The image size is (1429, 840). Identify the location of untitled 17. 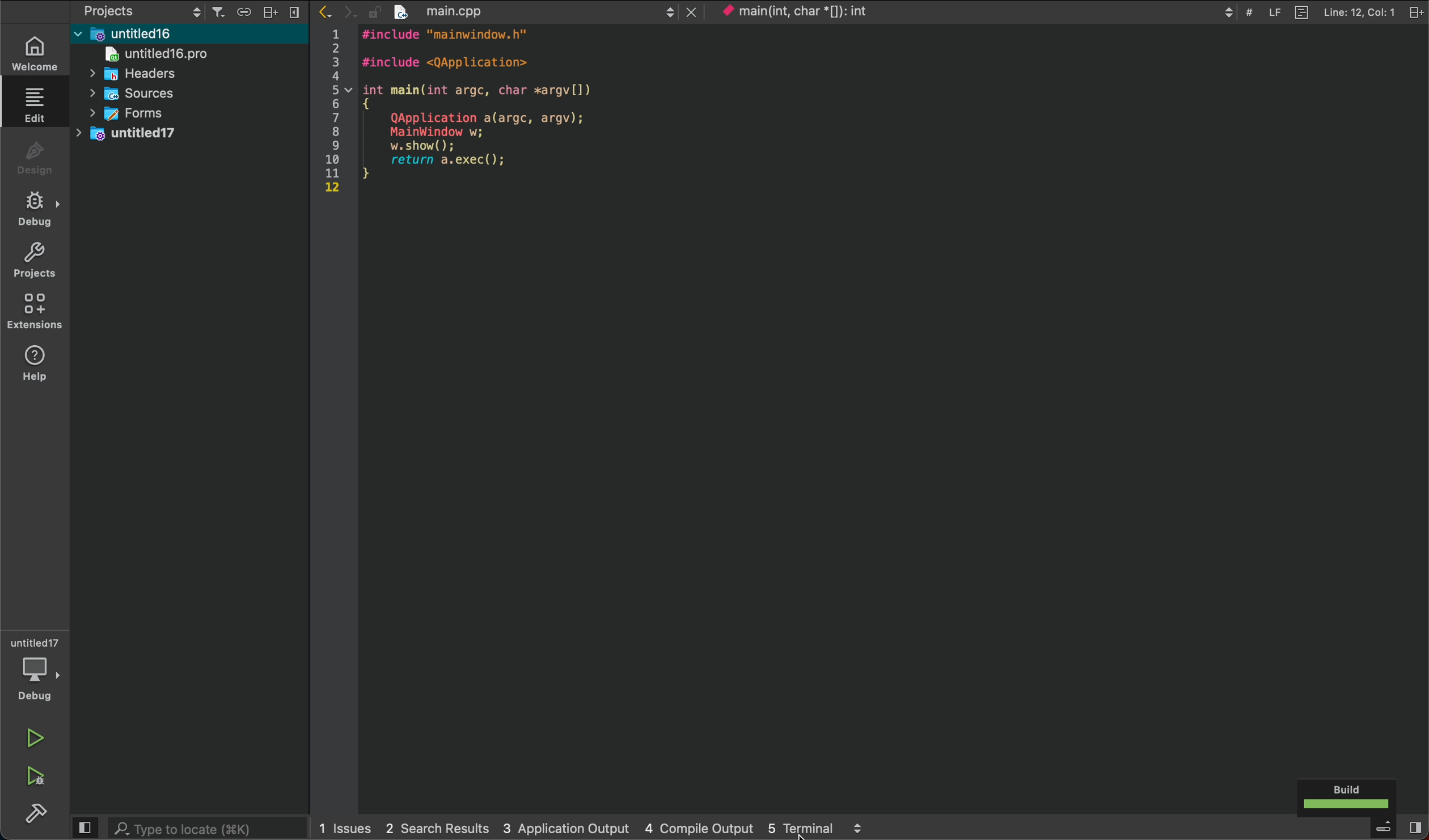
(150, 134).